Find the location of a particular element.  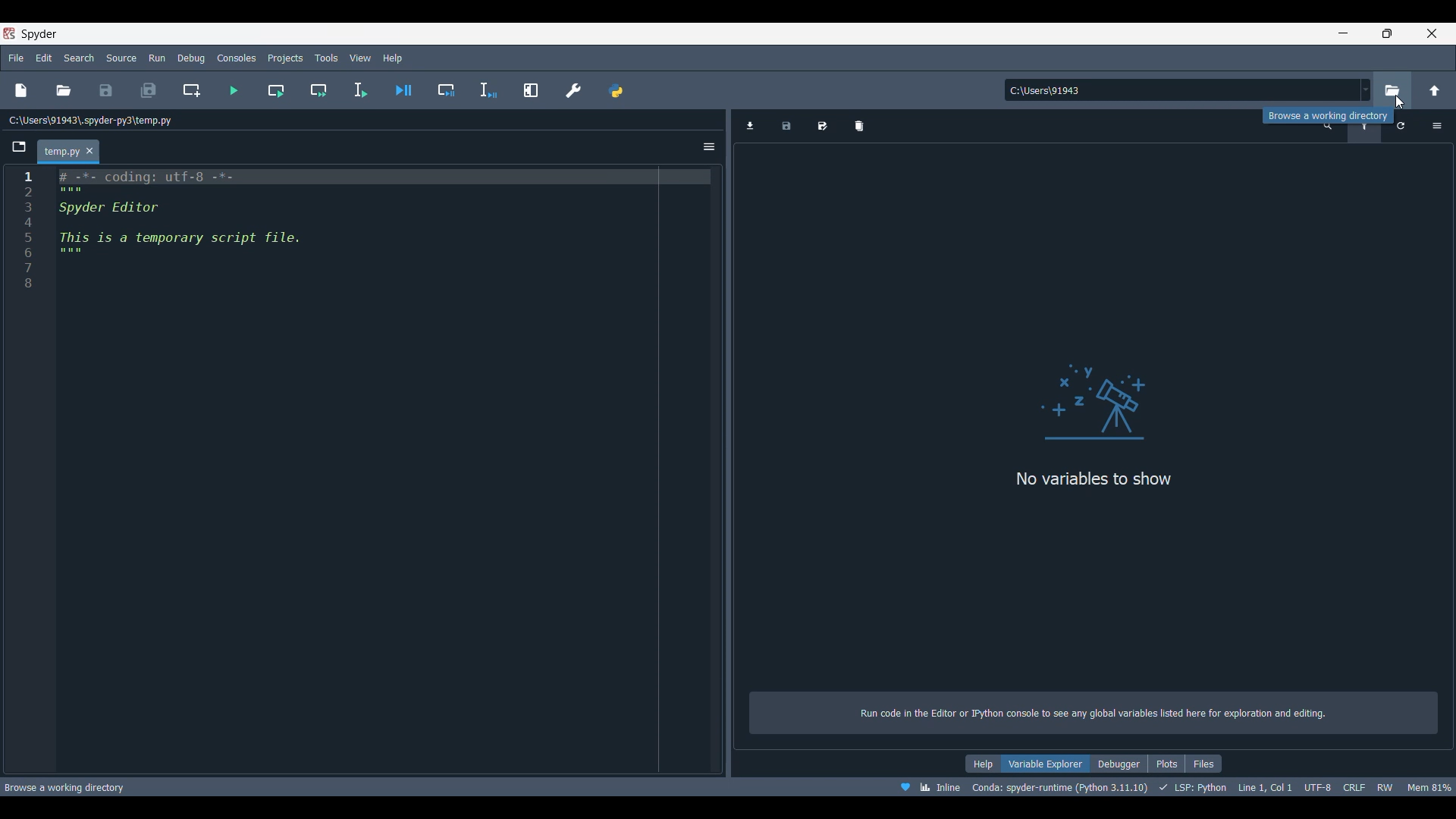

Close tab is located at coordinates (89, 151).